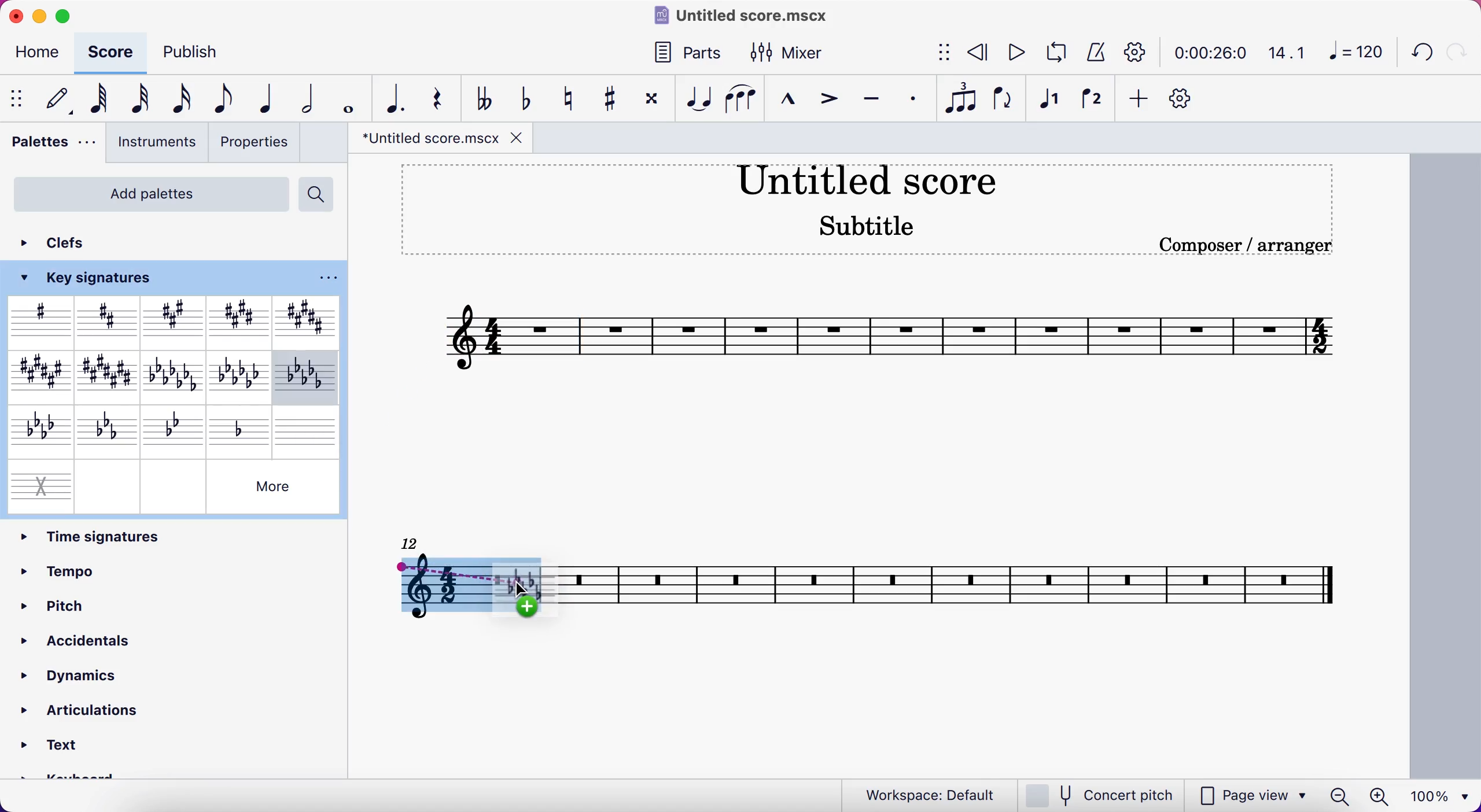  Describe the element at coordinates (311, 96) in the screenshot. I see `half note` at that location.